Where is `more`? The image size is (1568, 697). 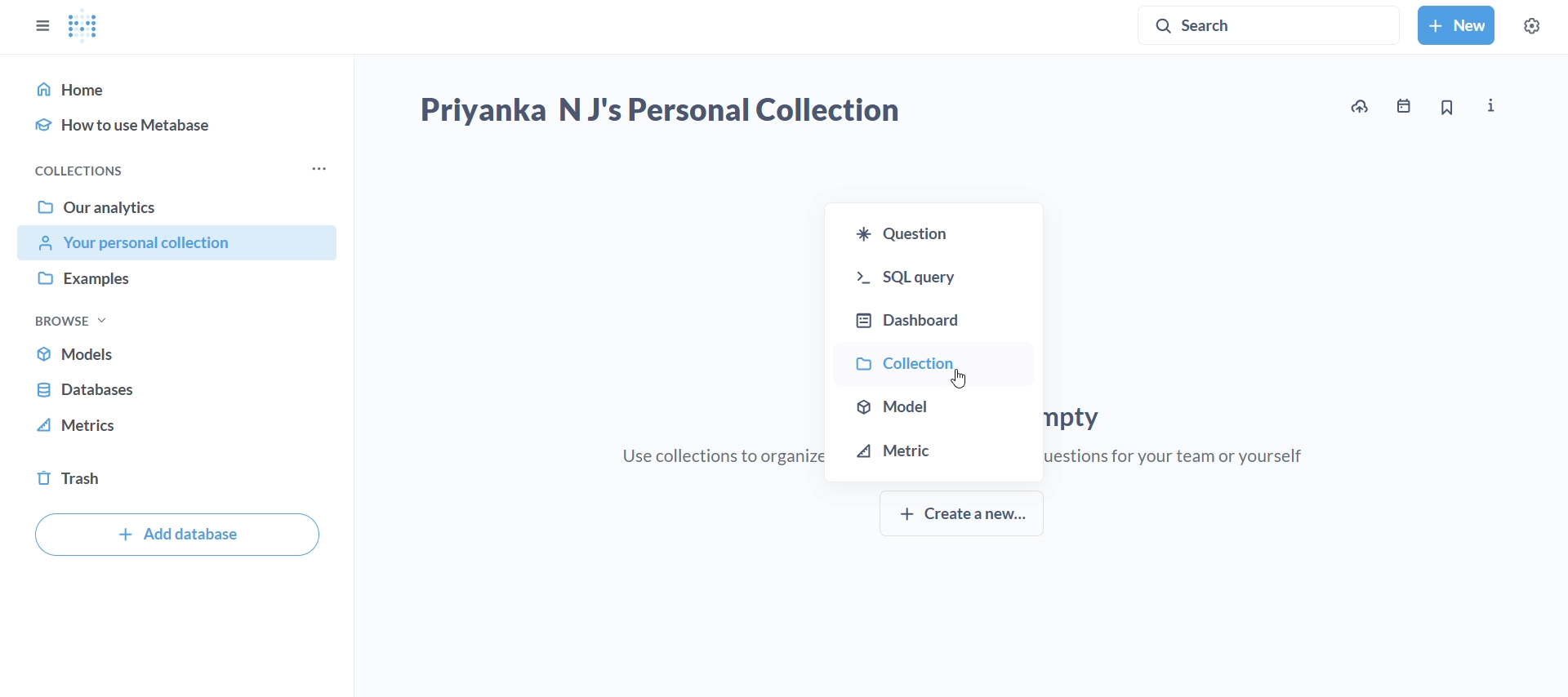
more is located at coordinates (319, 169).